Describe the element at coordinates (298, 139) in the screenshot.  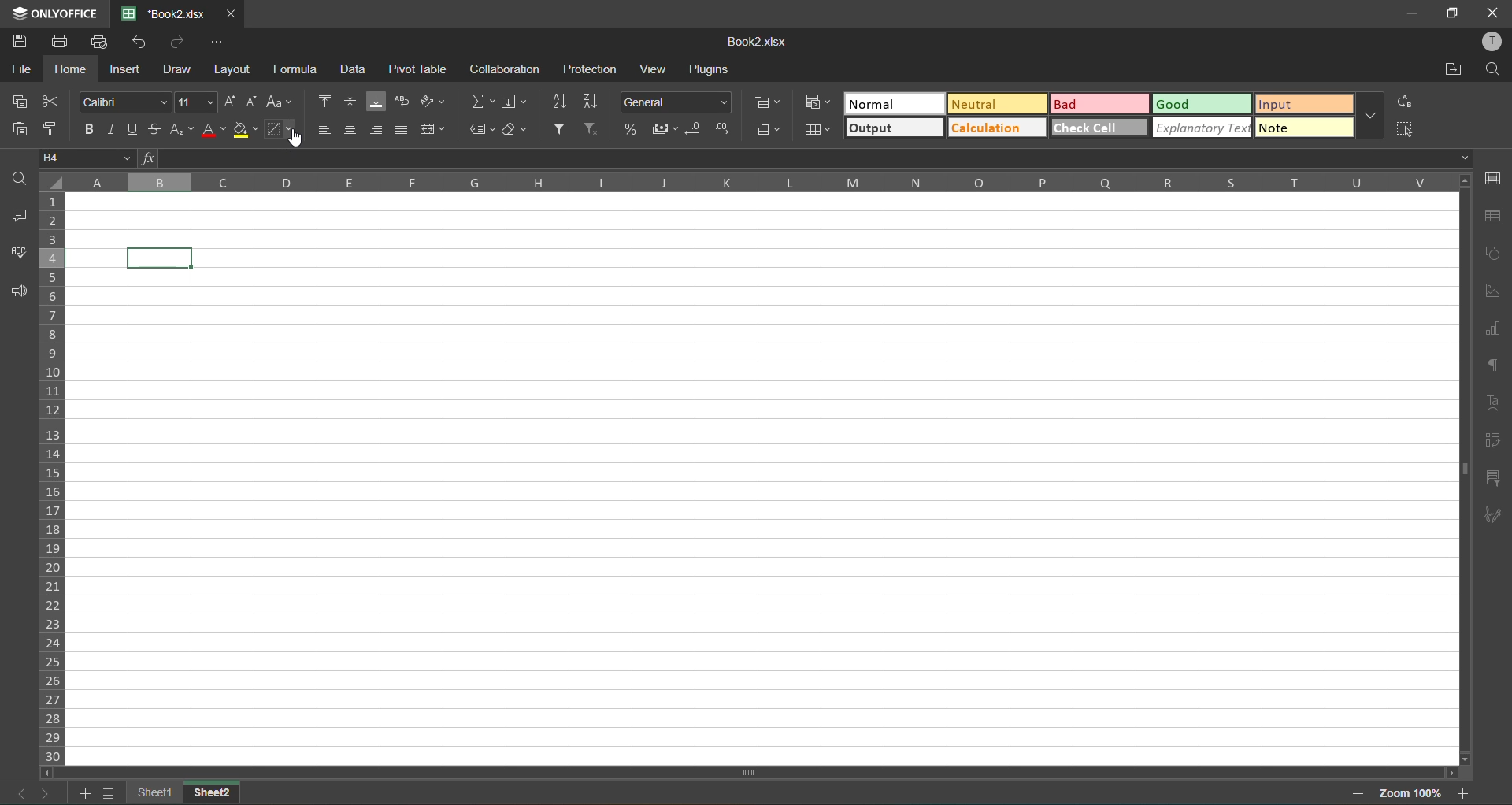
I see `cursor` at that location.